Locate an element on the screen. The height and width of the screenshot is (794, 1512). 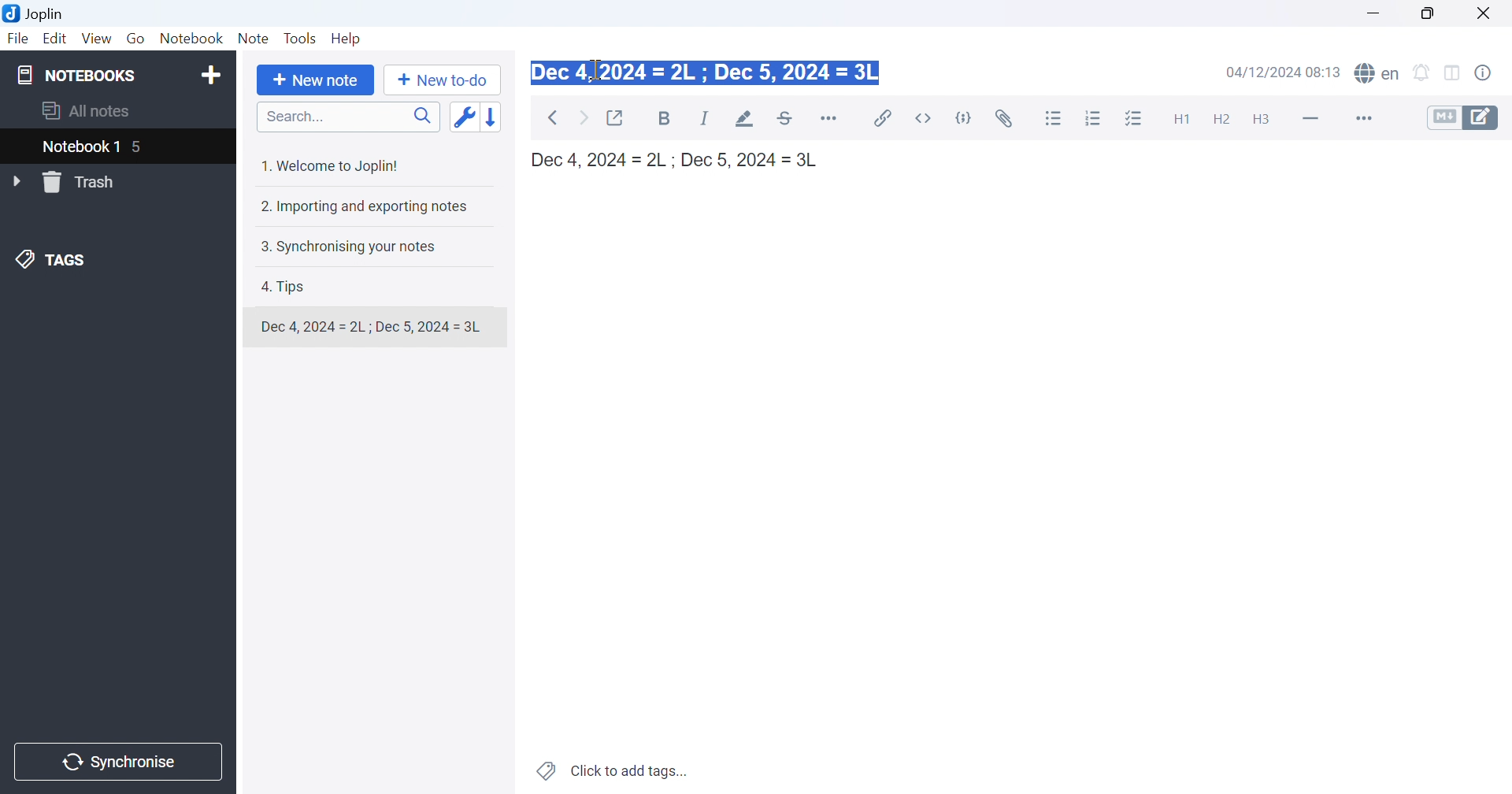
Restore Down is located at coordinates (1435, 12).